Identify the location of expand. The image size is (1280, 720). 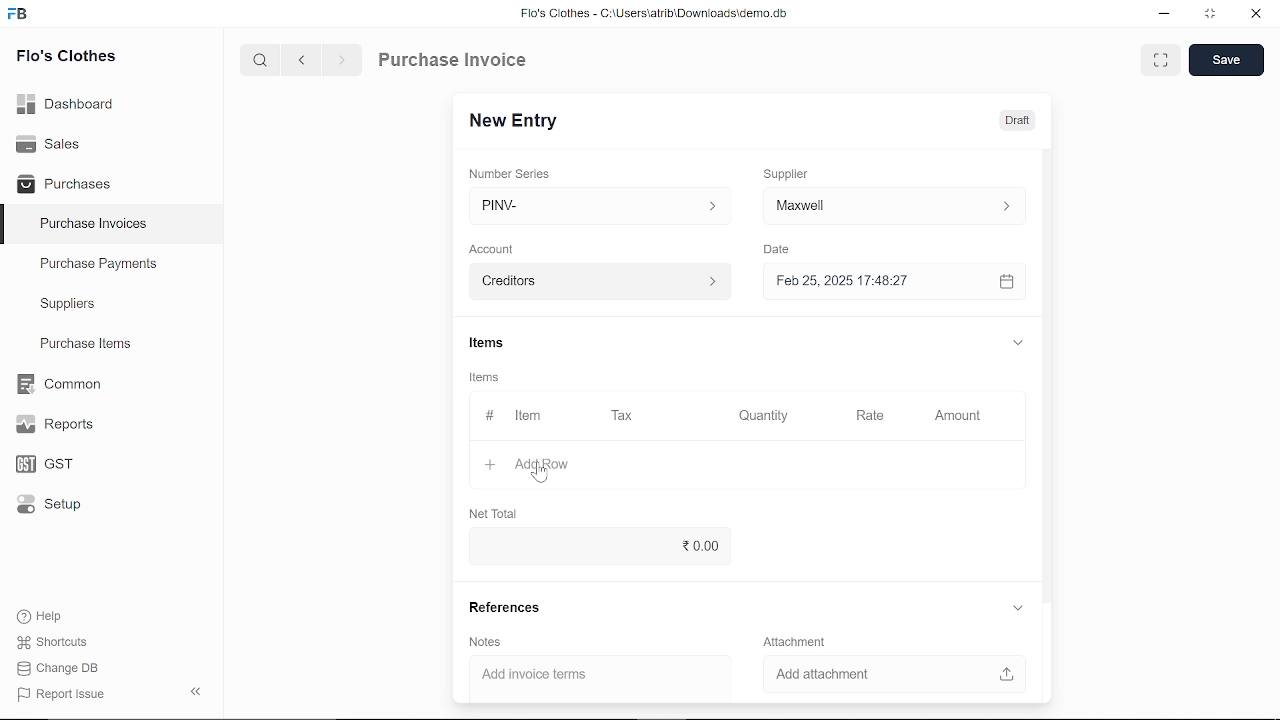
(1017, 607).